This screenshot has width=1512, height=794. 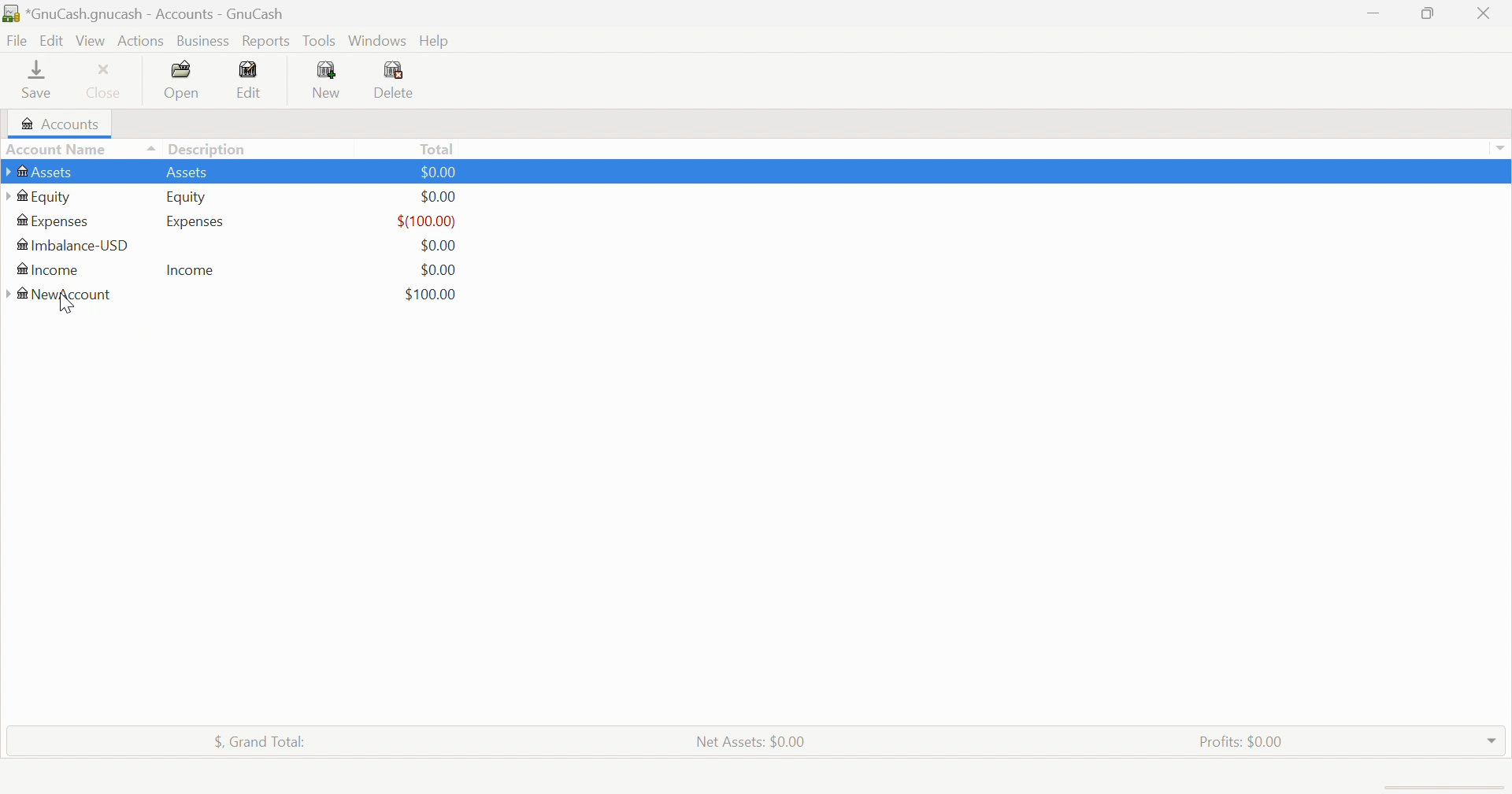 I want to click on Save, so click(x=39, y=82).